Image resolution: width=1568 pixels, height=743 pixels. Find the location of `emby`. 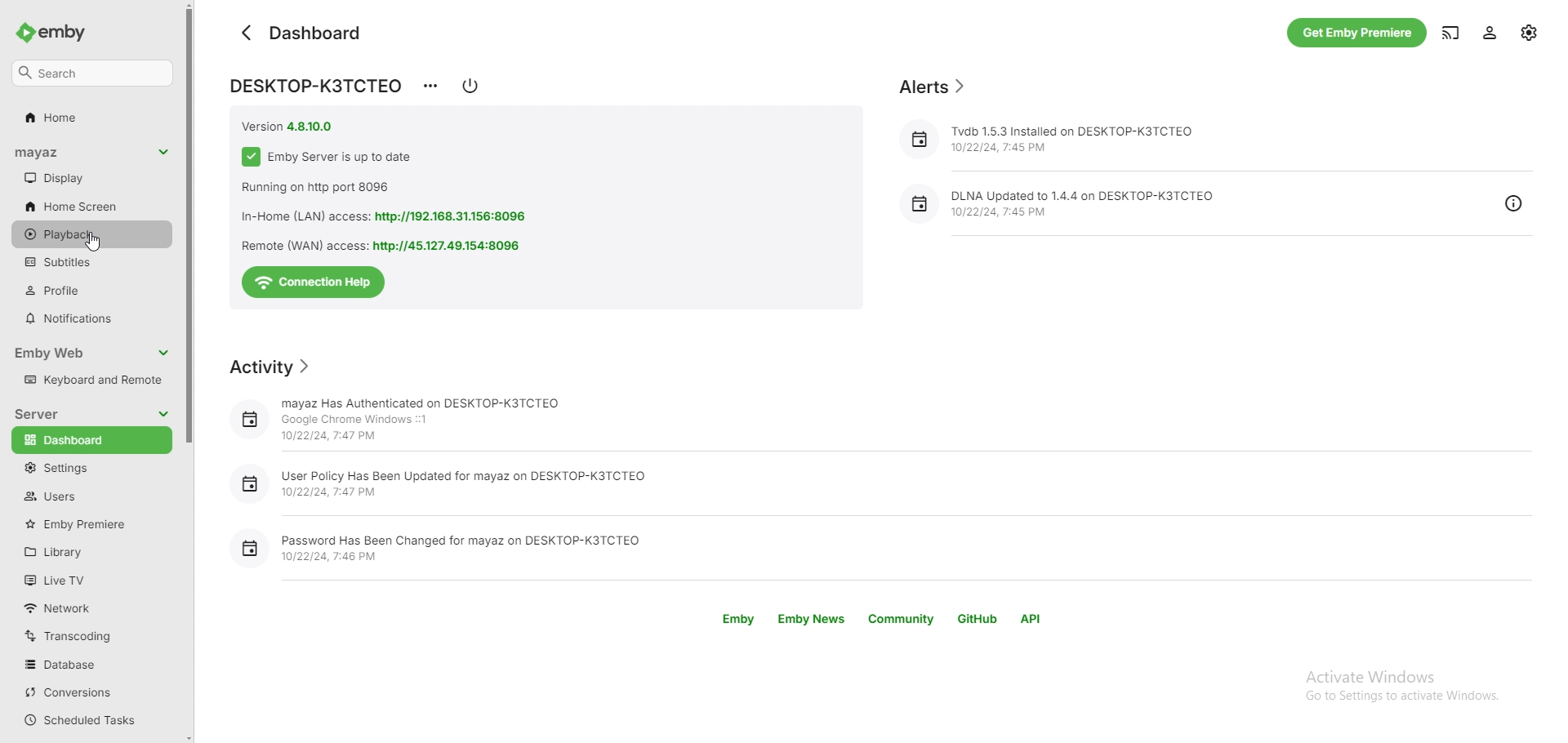

emby is located at coordinates (58, 33).